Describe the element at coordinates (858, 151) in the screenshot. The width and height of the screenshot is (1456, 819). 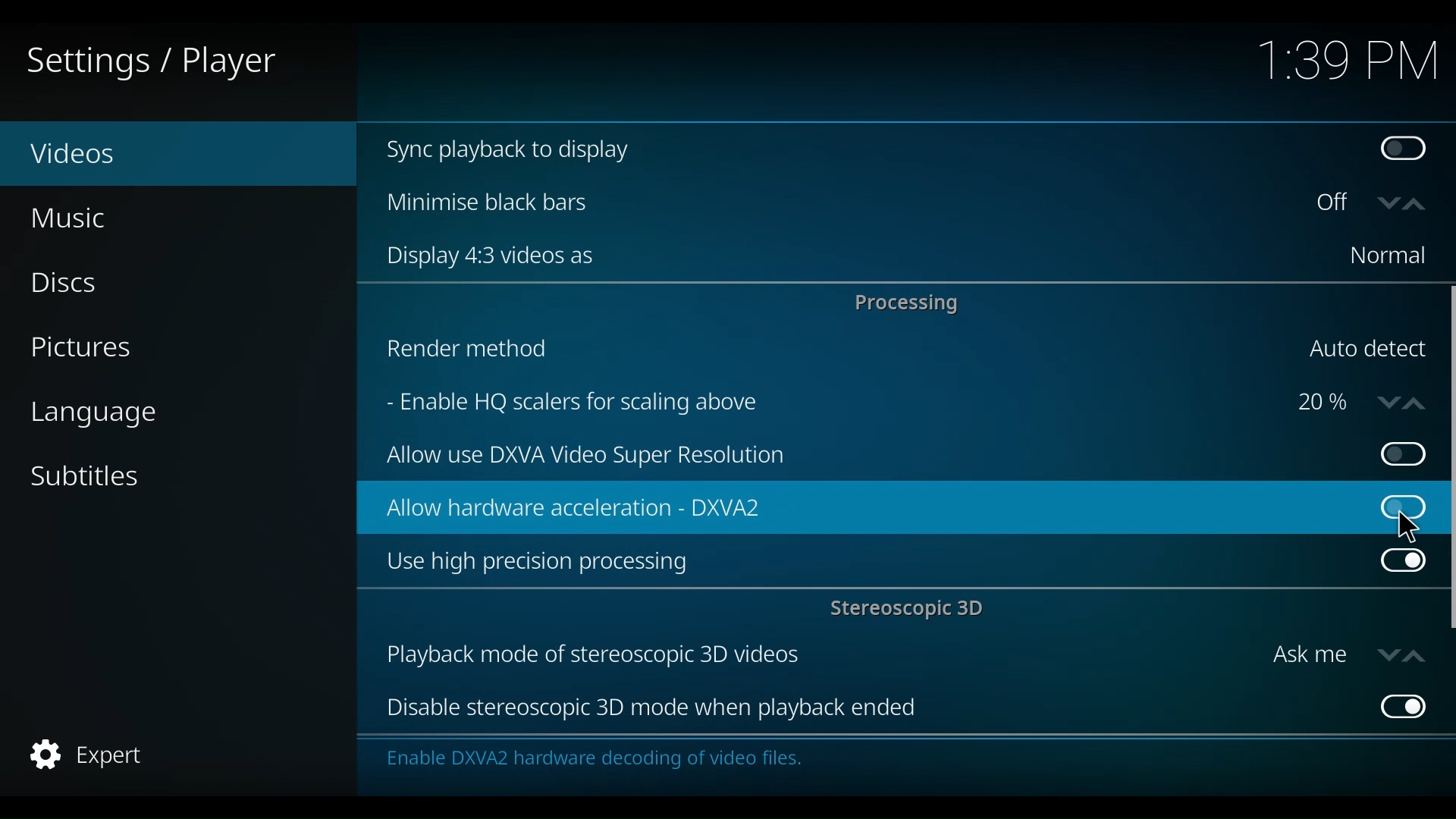
I see `Sync playback to display` at that location.